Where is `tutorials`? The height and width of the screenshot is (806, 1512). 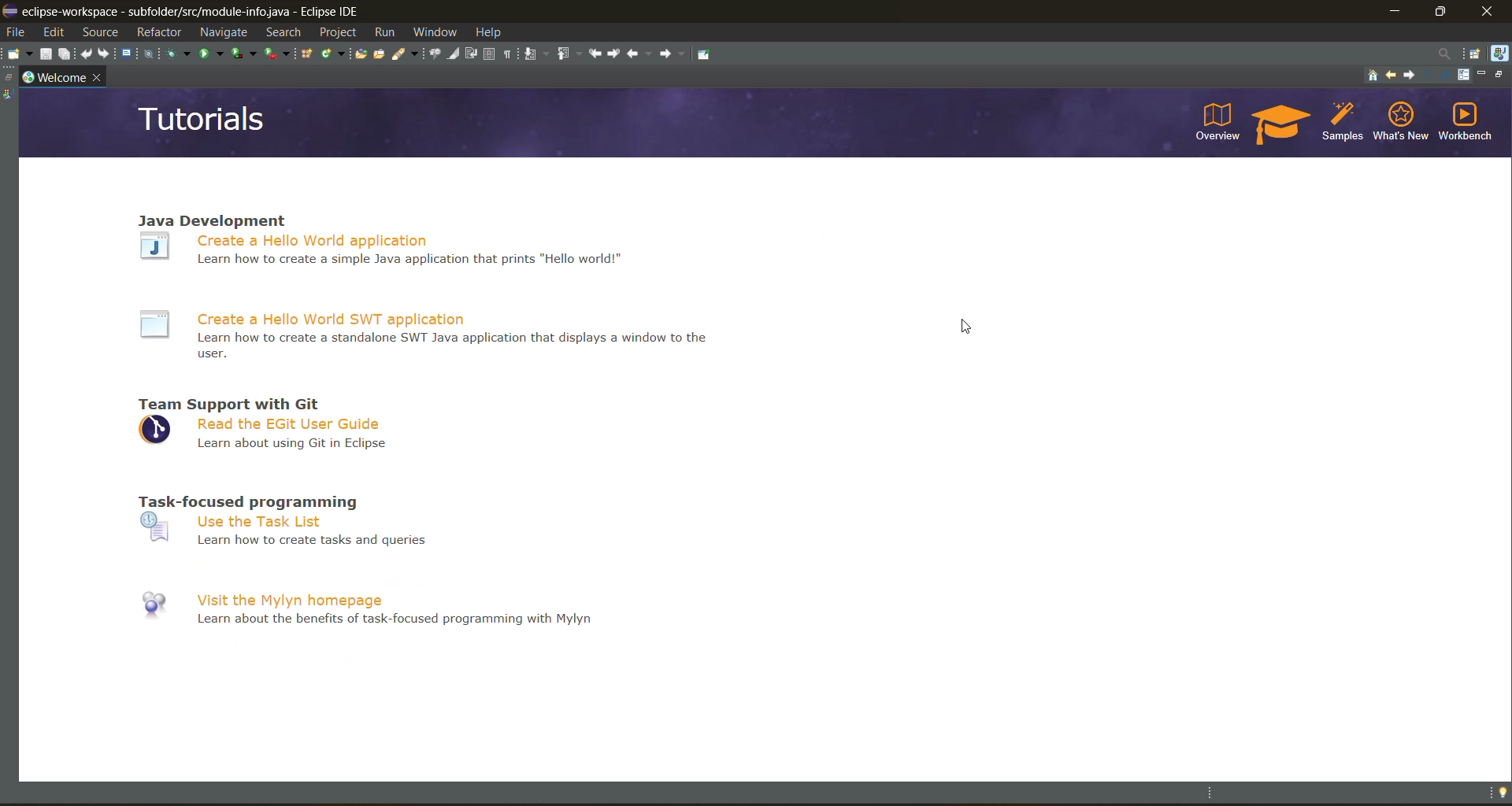 tutorials is located at coordinates (1280, 125).